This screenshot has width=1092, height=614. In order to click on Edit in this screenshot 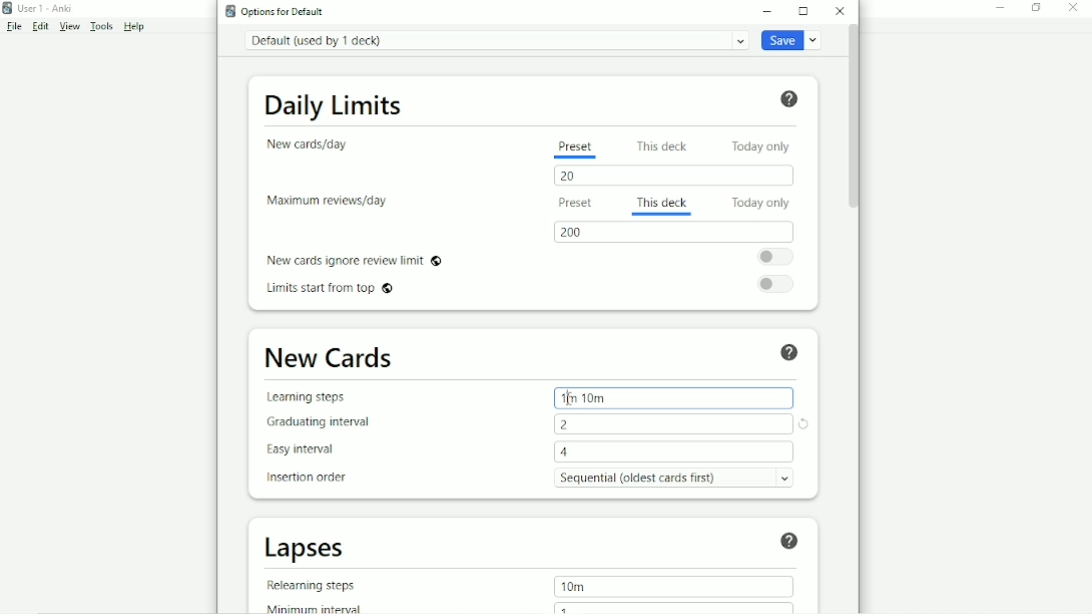, I will do `click(41, 27)`.